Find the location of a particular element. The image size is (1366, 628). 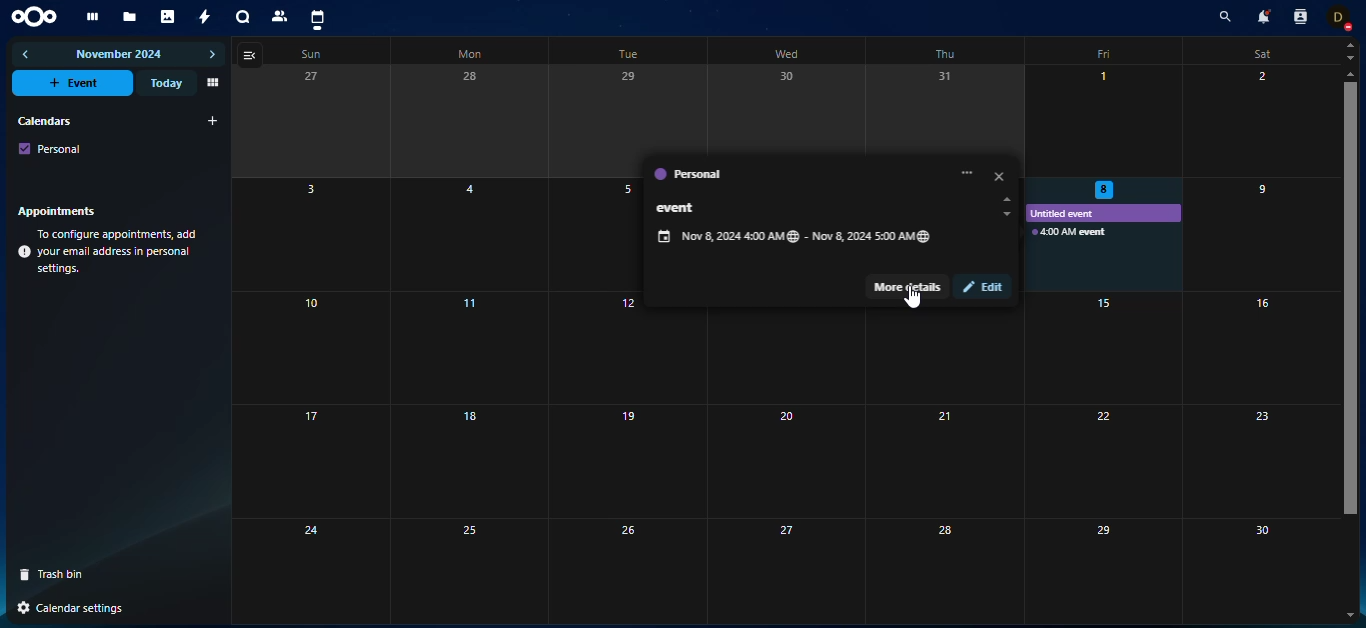

nextcloud is located at coordinates (38, 15).